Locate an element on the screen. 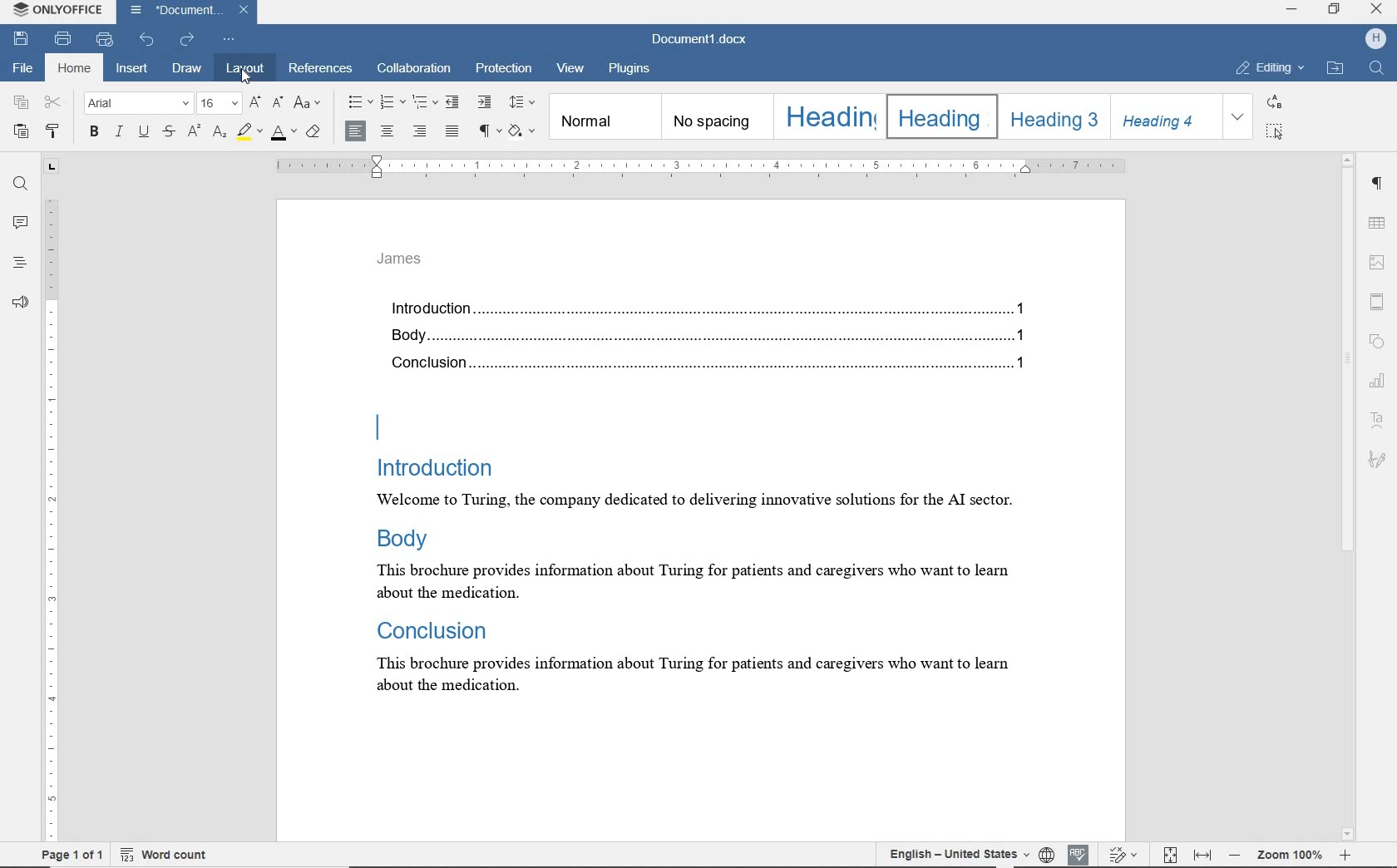 This screenshot has height=868, width=1397. document name is located at coordinates (174, 11).